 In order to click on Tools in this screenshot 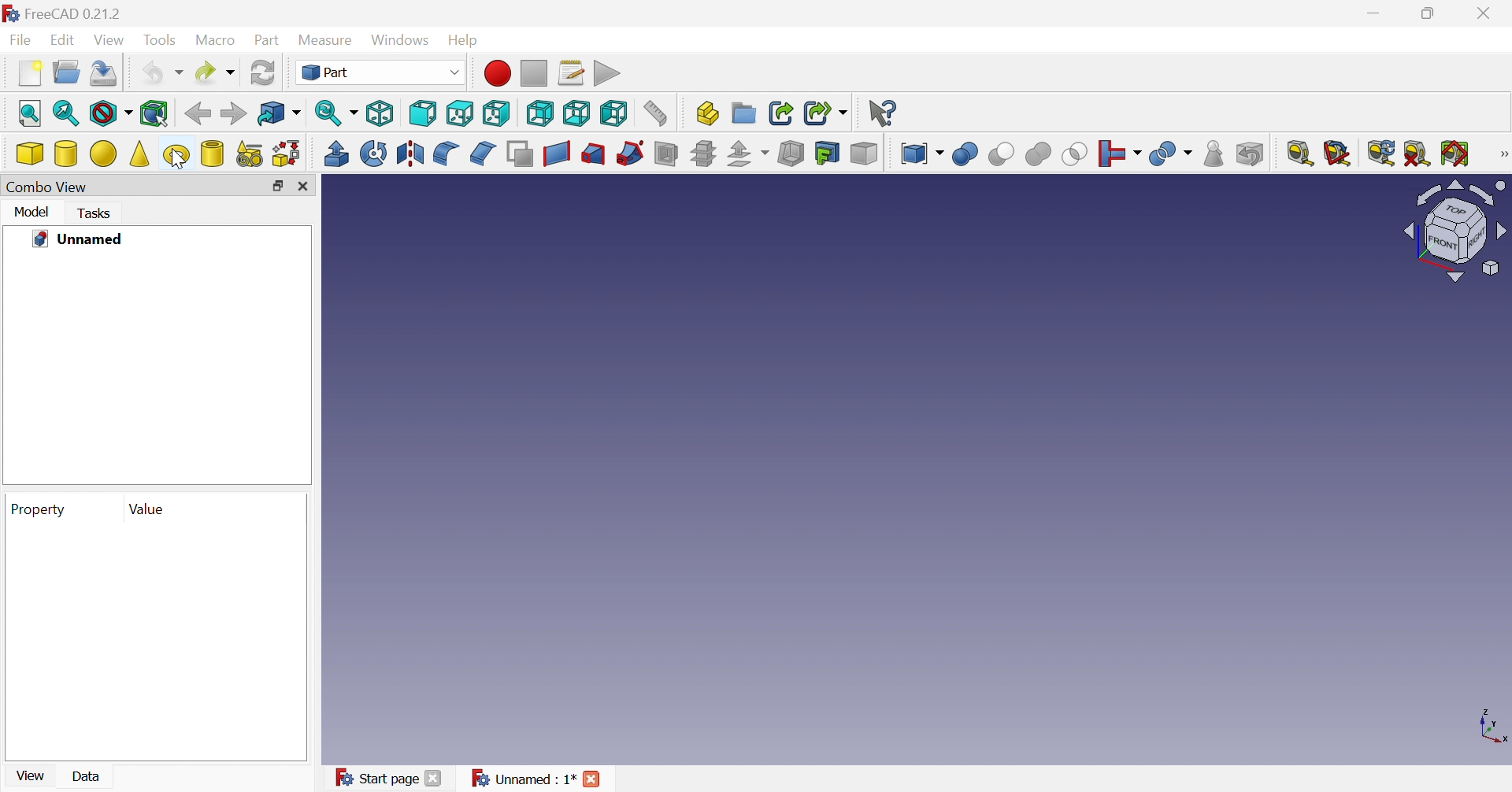, I will do `click(159, 42)`.